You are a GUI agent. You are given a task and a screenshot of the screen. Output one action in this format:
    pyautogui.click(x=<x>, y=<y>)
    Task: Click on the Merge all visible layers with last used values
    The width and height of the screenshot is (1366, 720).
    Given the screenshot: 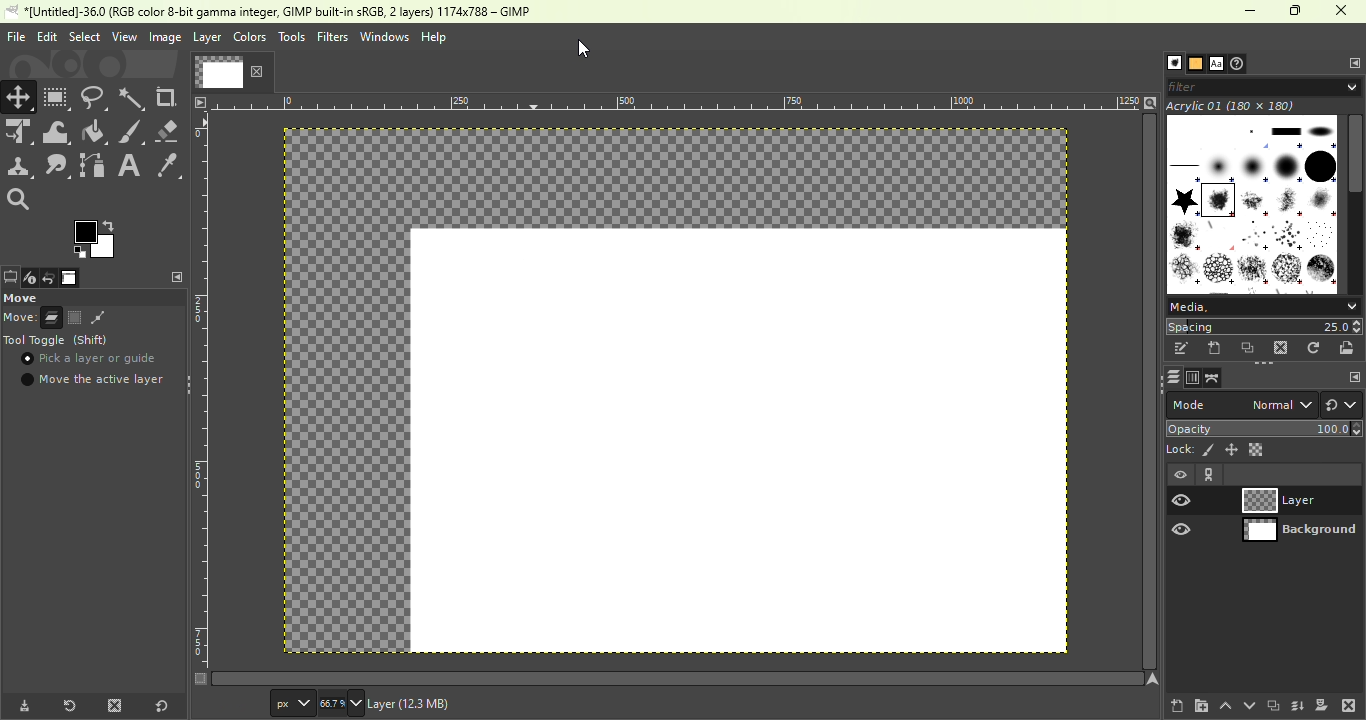 What is the action you would take?
    pyautogui.click(x=1299, y=706)
    